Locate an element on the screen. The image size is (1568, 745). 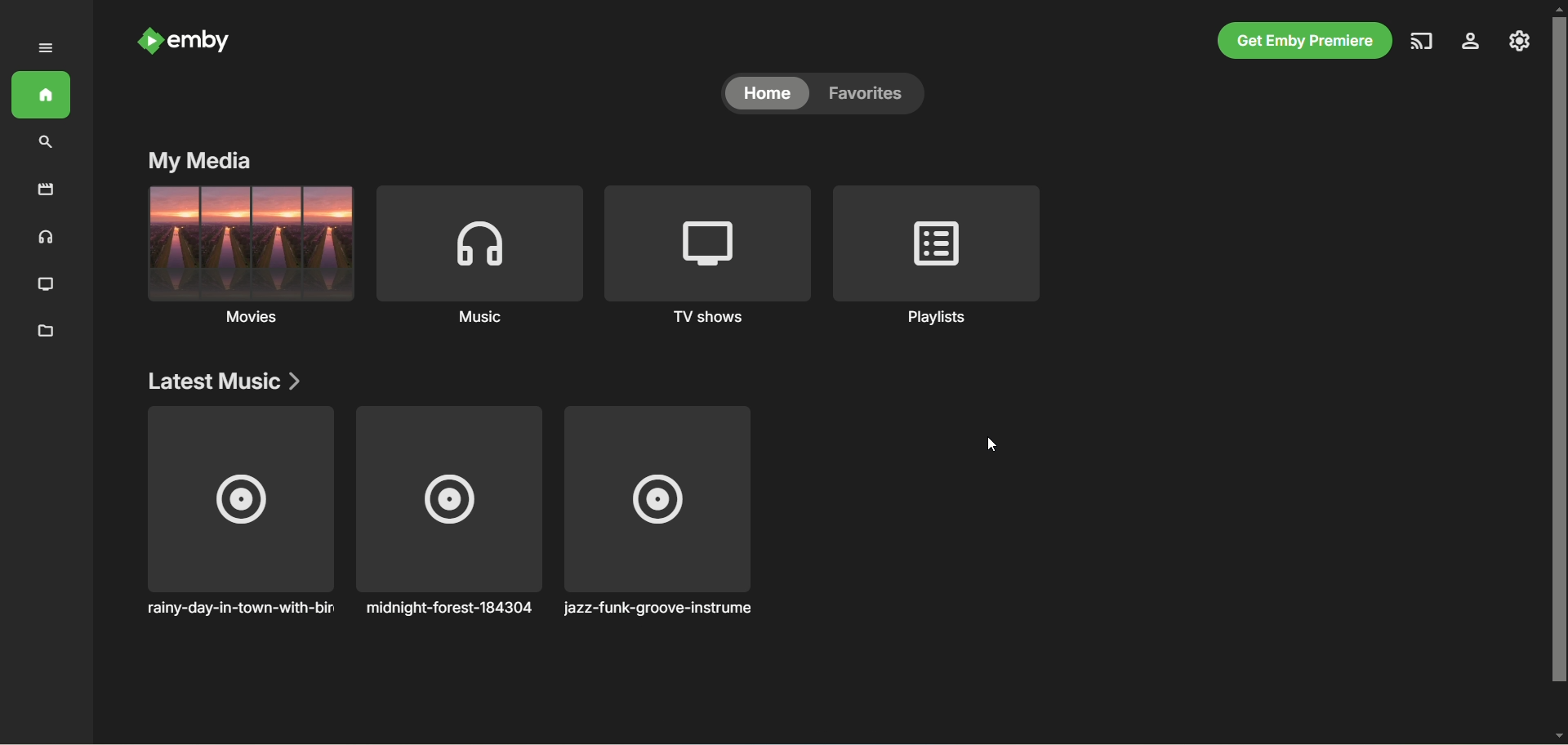
movies is located at coordinates (45, 189).